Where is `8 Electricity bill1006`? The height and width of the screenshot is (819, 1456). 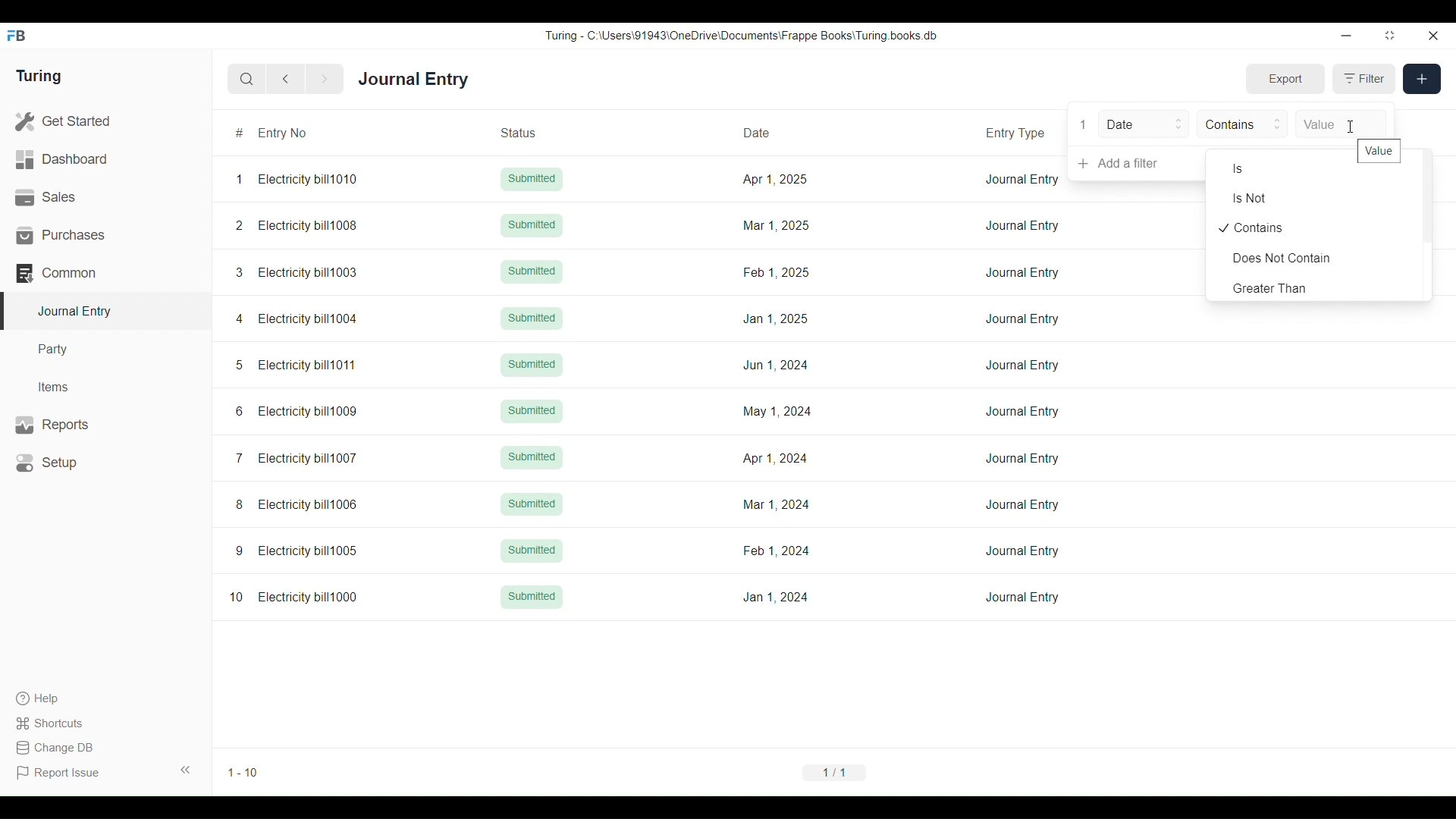
8 Electricity bill1006 is located at coordinates (297, 504).